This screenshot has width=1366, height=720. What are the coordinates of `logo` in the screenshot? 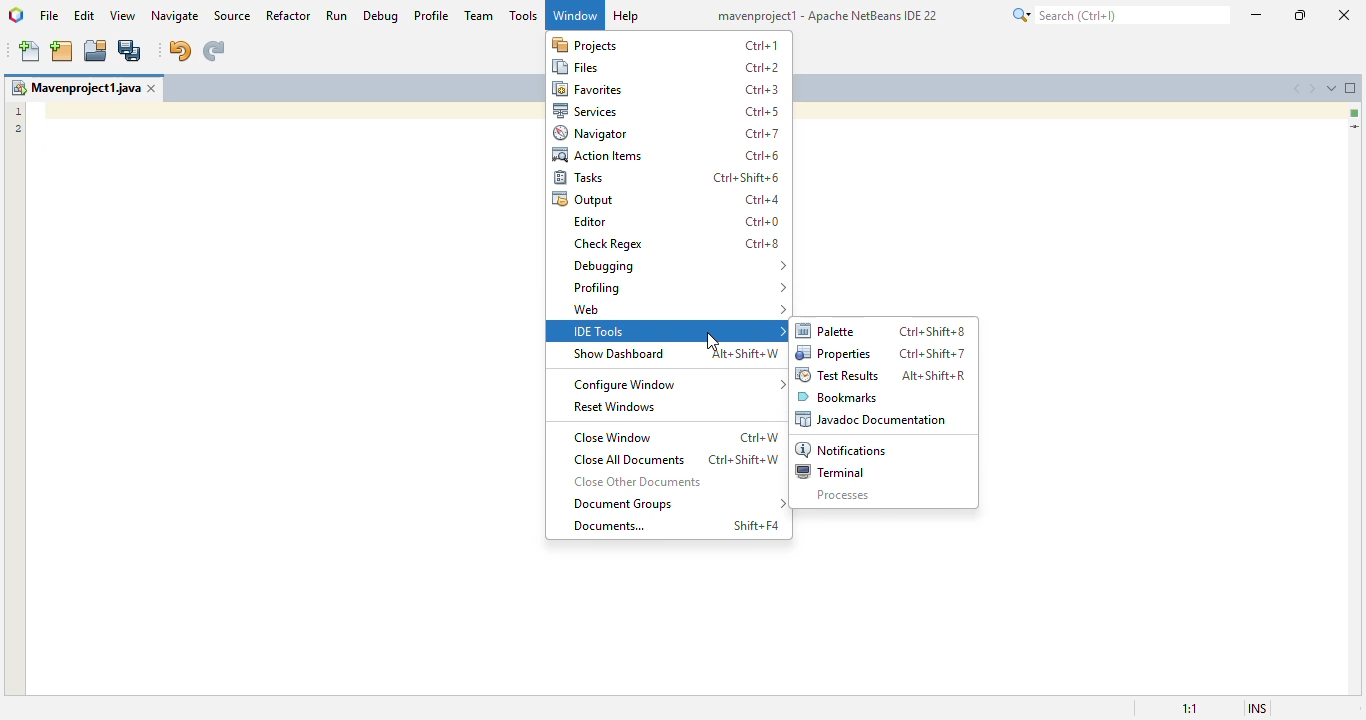 It's located at (16, 15).